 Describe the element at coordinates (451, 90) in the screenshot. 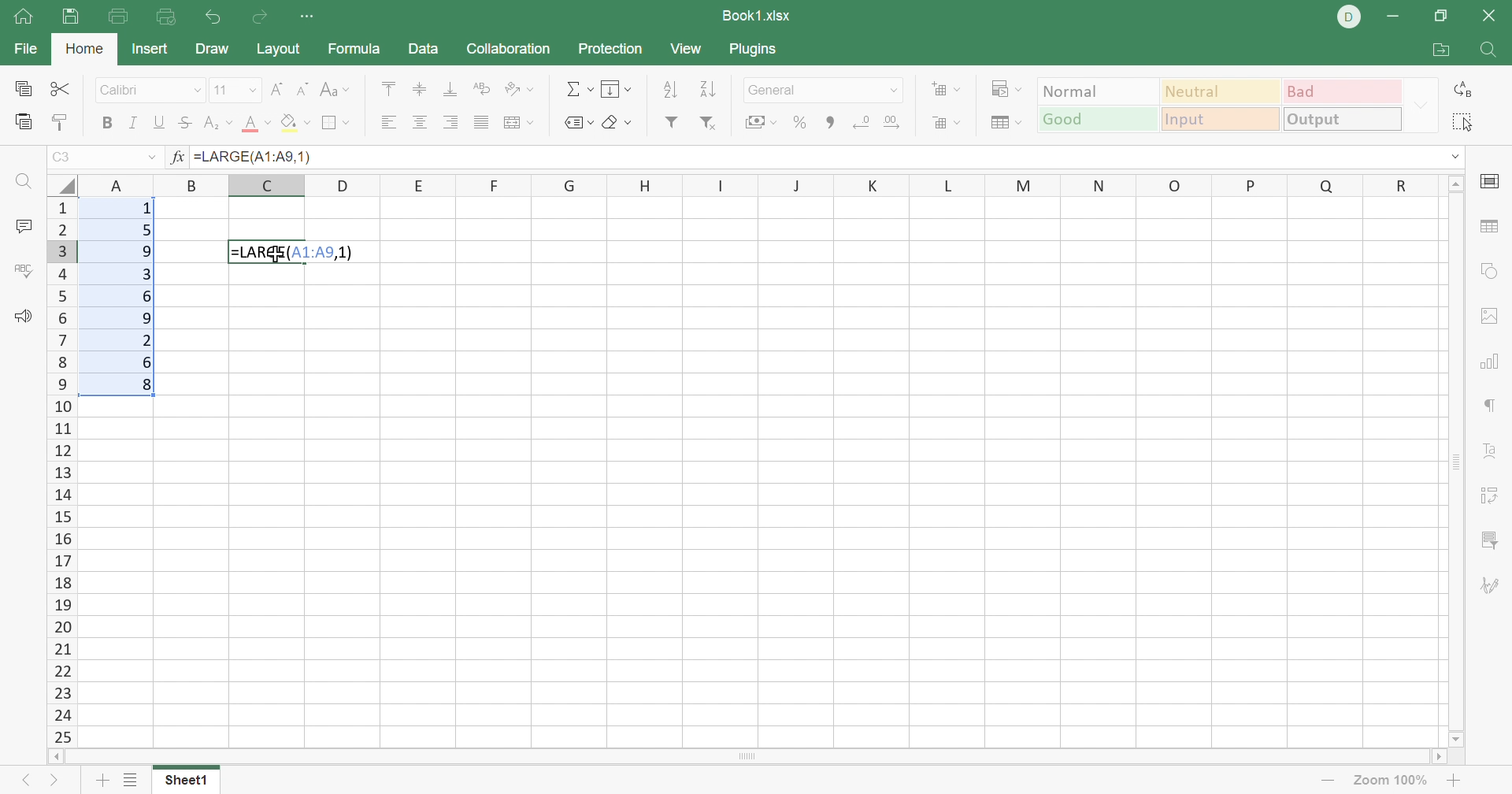

I see `Align Bottom` at that location.